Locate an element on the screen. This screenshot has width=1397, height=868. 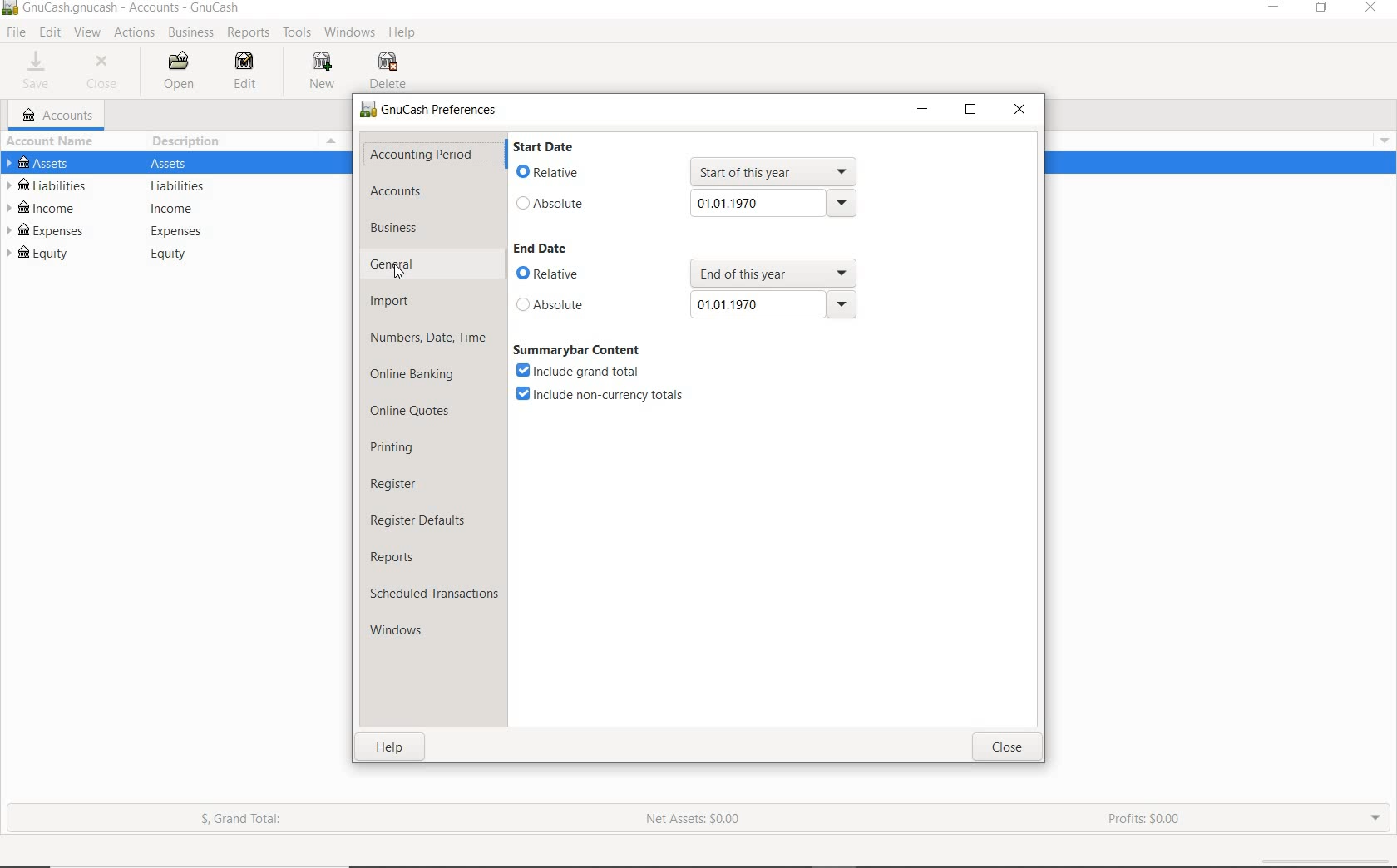
ACCOUNTS is located at coordinates (398, 192).